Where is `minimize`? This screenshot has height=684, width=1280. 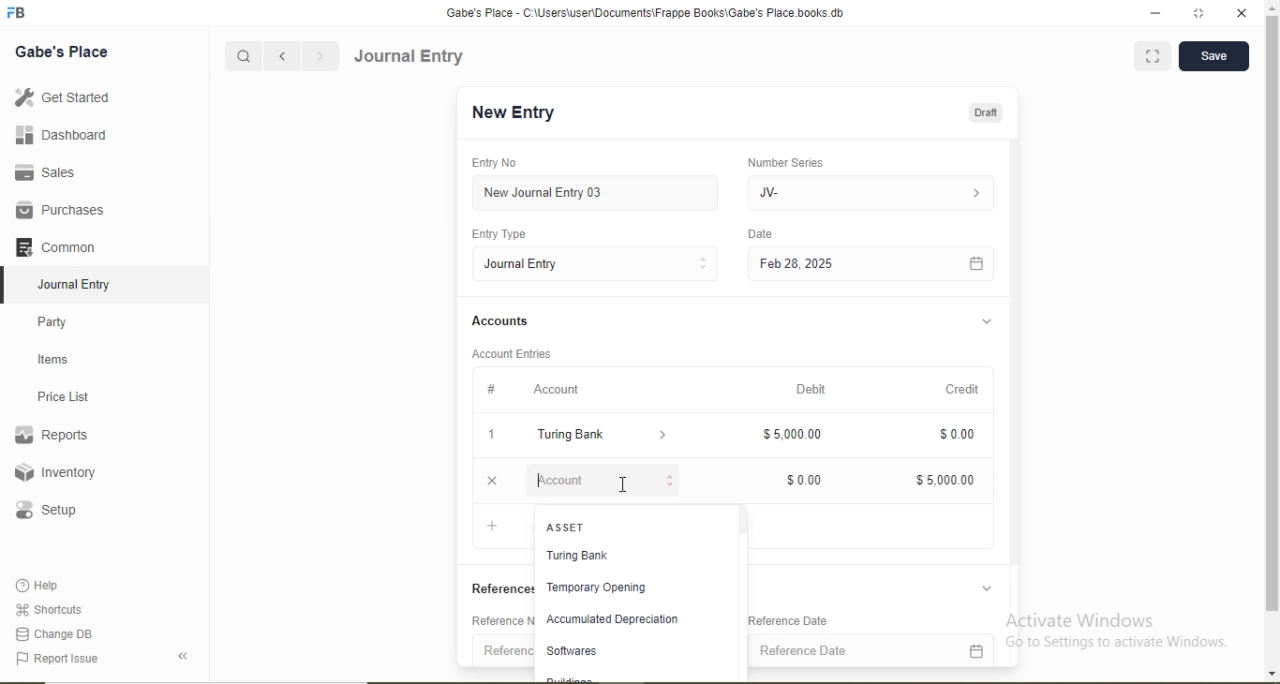 minimize is located at coordinates (1155, 13).